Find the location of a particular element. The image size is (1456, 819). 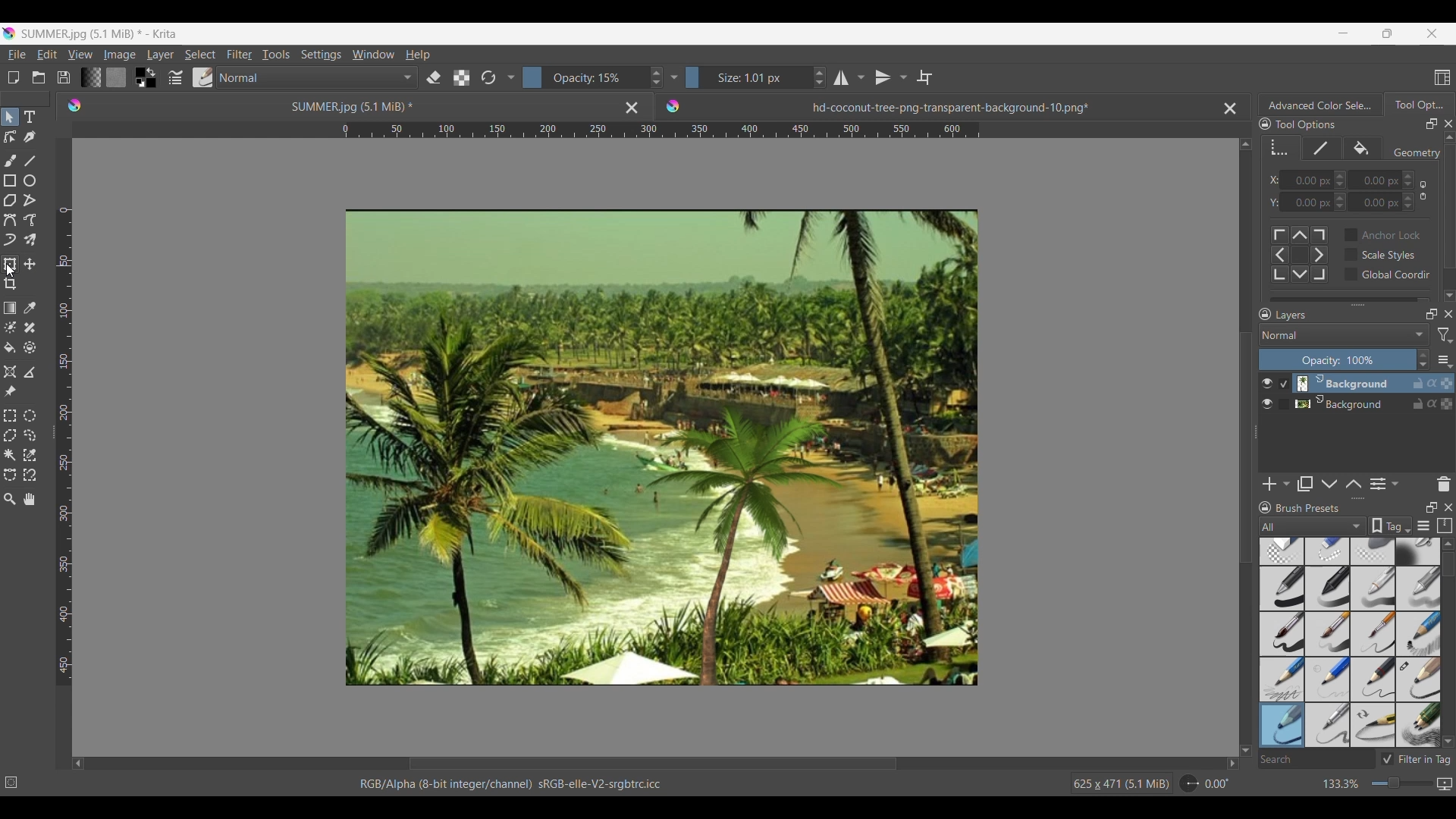

Polygonal selection tool is located at coordinates (10, 435).